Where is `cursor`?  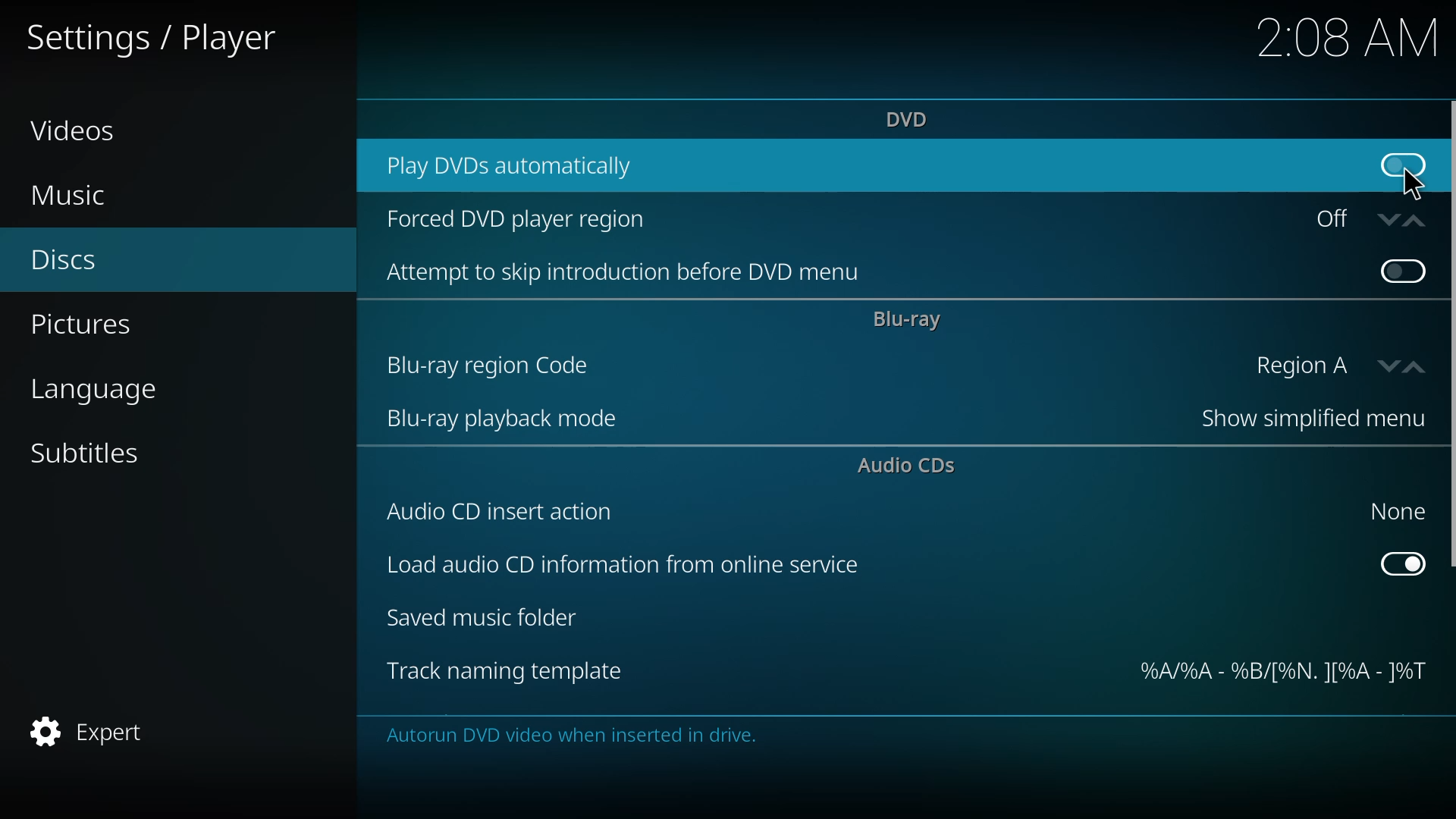
cursor is located at coordinates (1411, 183).